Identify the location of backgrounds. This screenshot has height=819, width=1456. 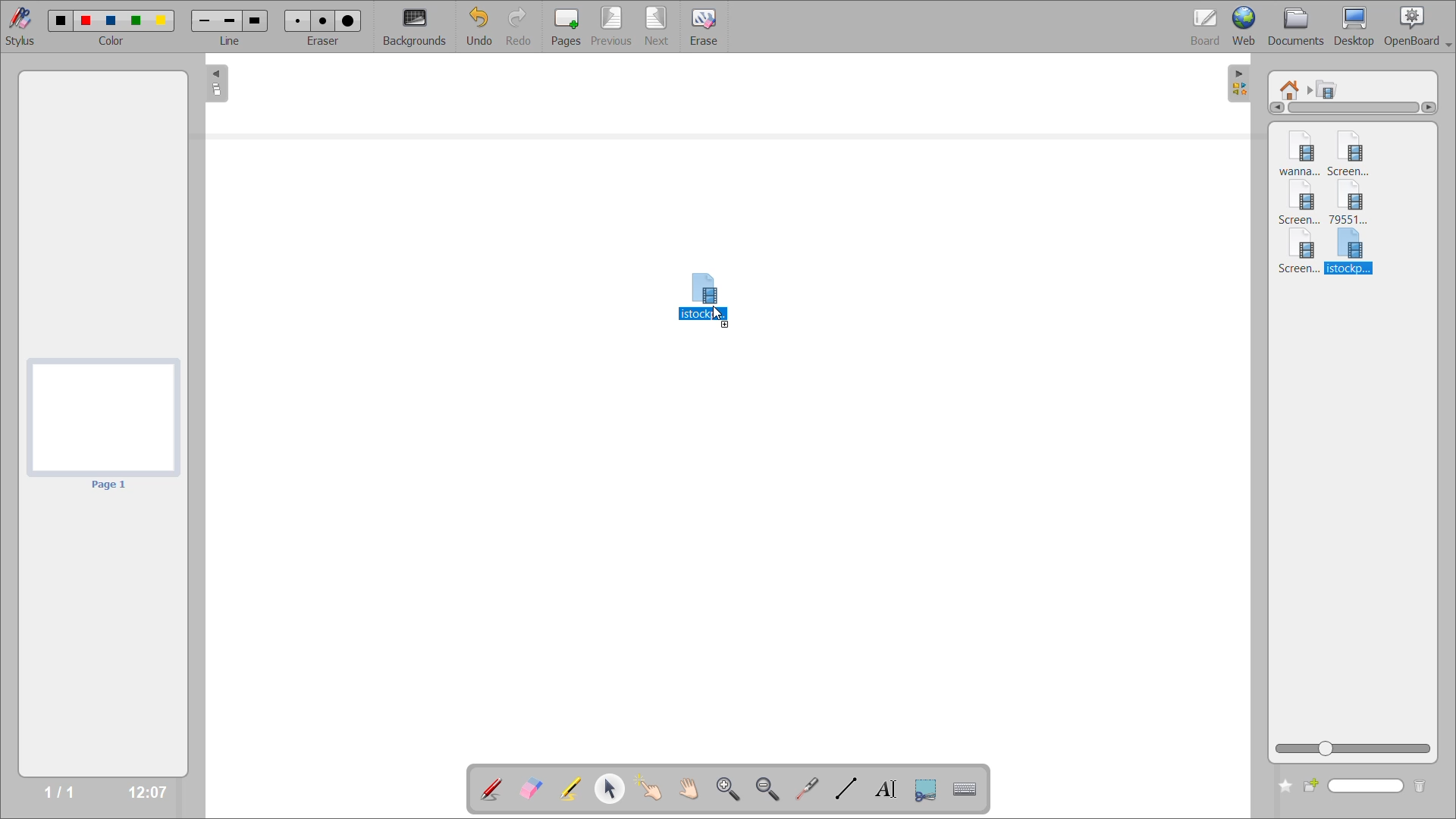
(417, 26).